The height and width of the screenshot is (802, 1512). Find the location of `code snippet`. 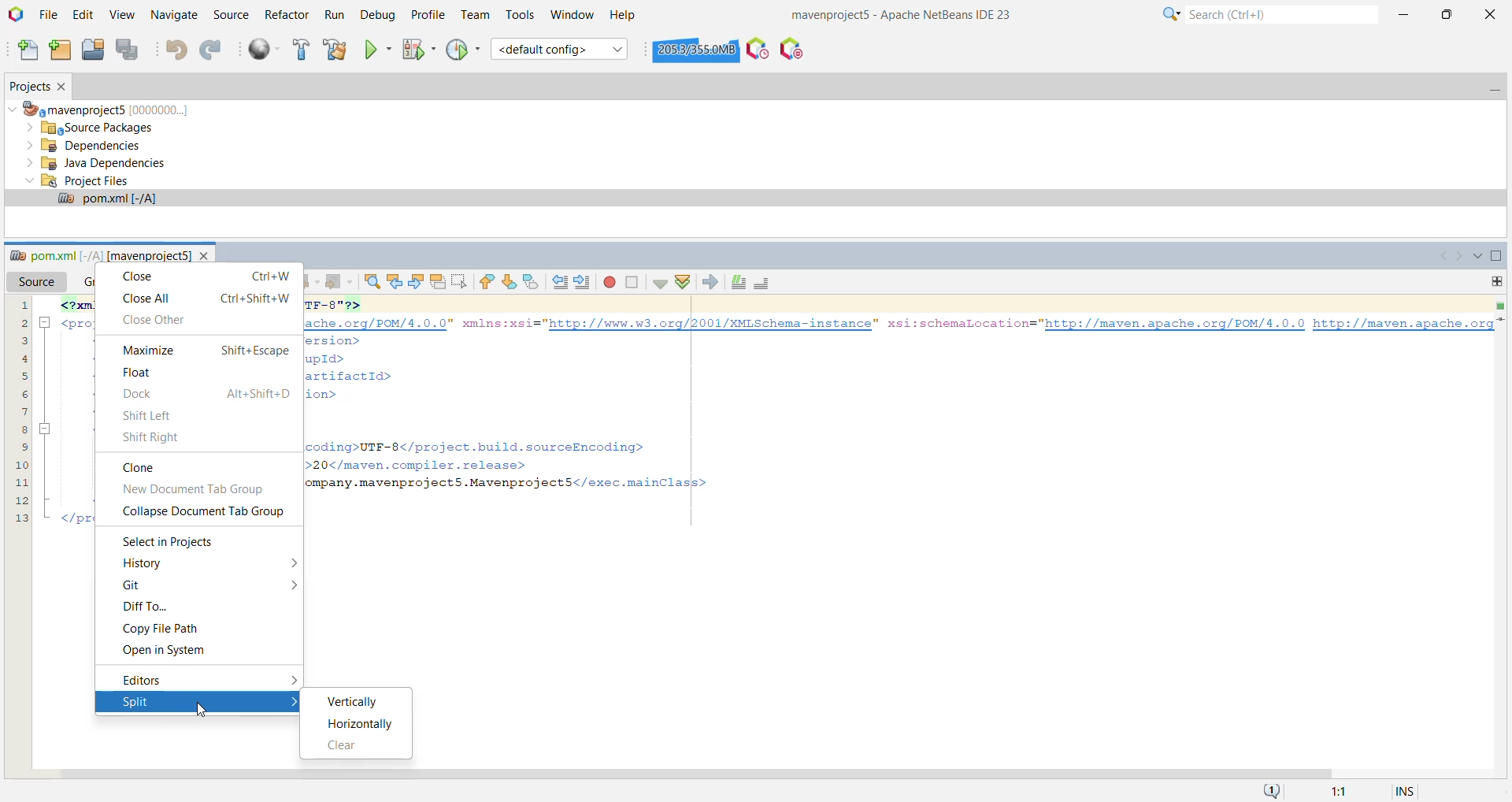

code snippet is located at coordinates (884, 407).